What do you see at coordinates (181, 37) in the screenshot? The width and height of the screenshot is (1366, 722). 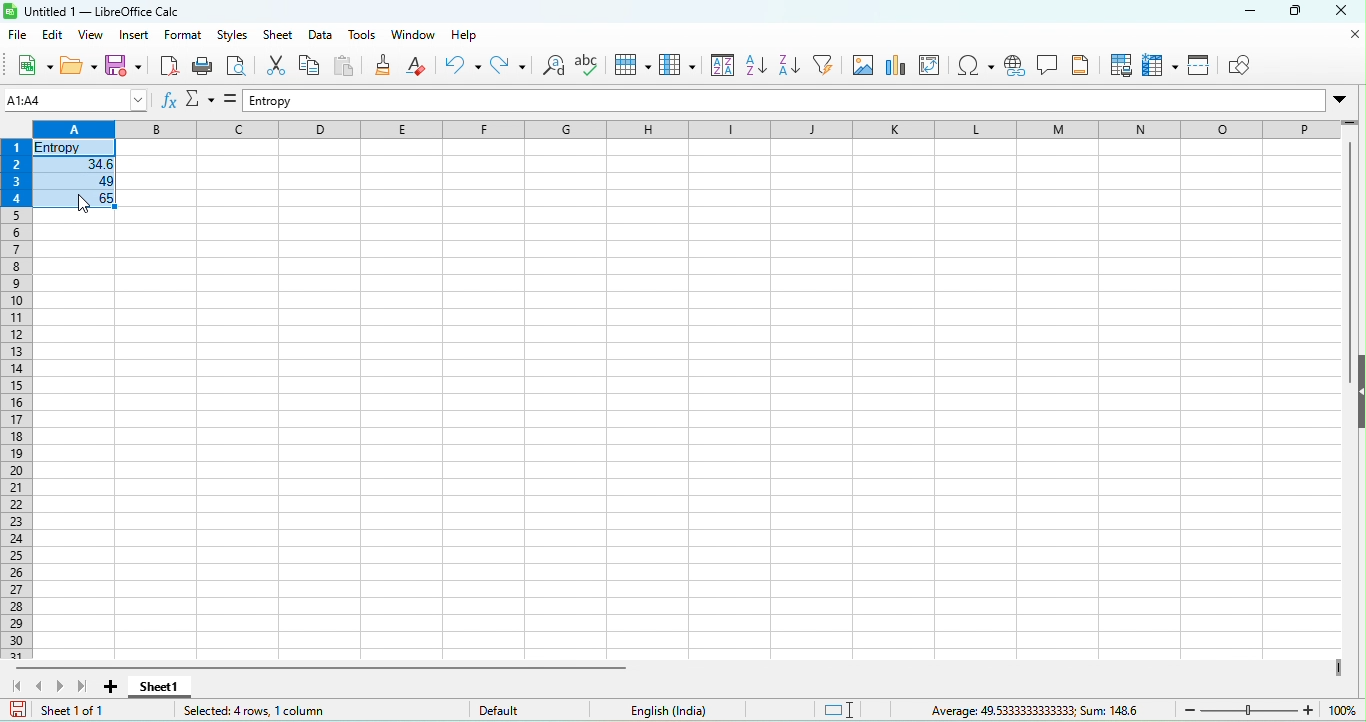 I see `format` at bounding box center [181, 37].